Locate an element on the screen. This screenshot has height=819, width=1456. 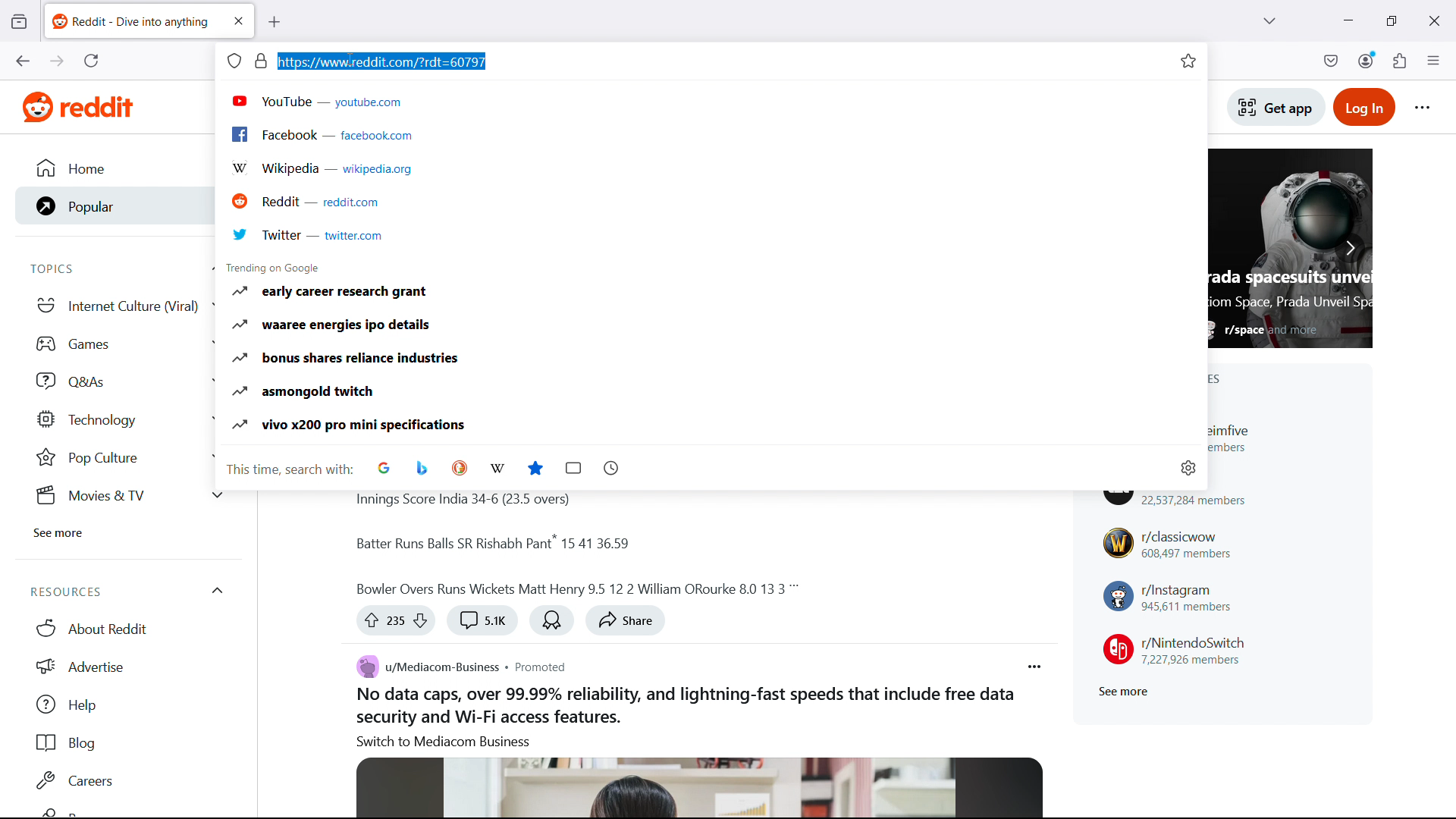
change search settings is located at coordinates (1187, 469).